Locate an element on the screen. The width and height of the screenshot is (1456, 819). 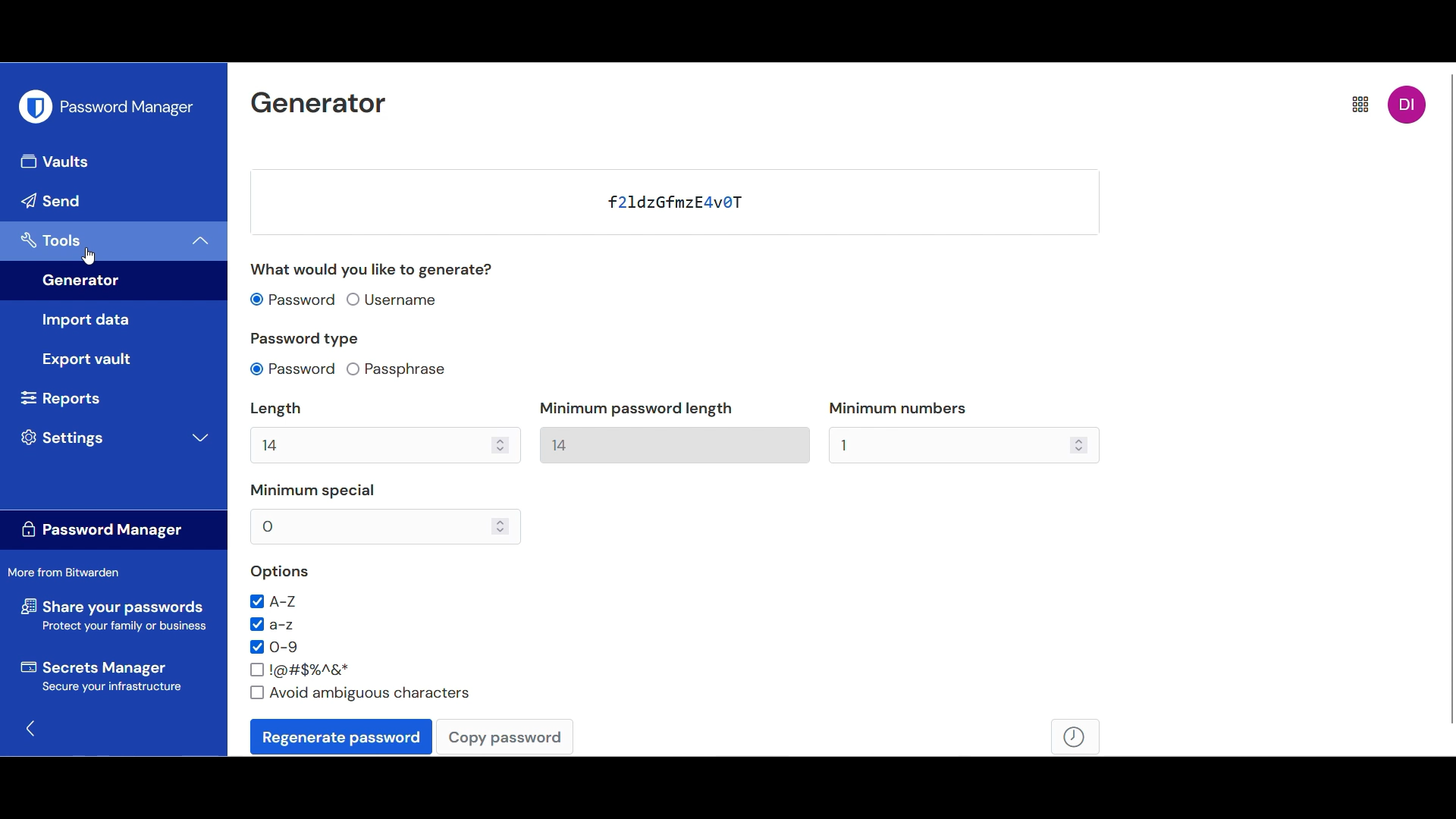
Cursor position unchanged is located at coordinates (89, 256).